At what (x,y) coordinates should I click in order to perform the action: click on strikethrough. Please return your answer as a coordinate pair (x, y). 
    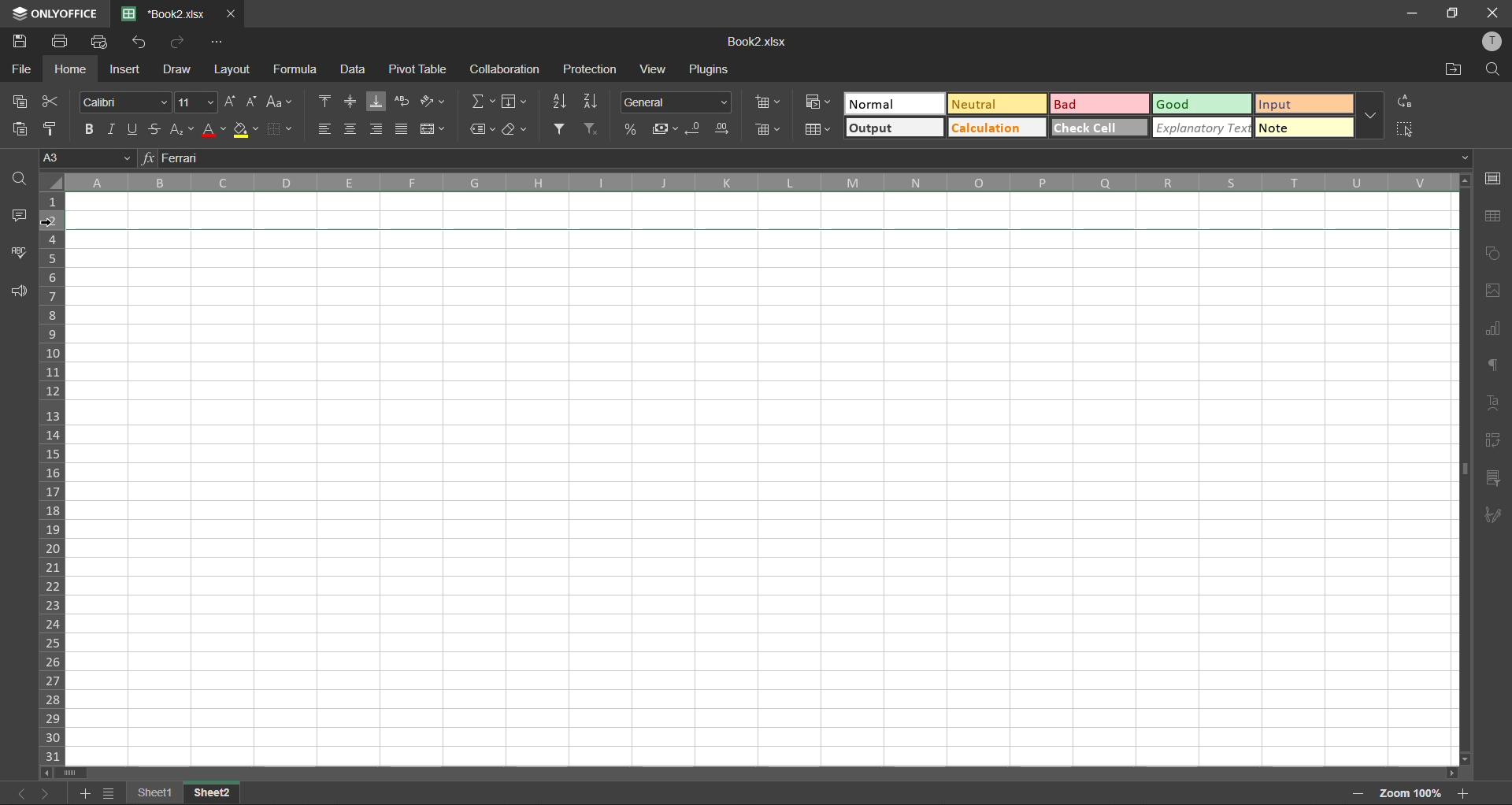
    Looking at the image, I should click on (155, 127).